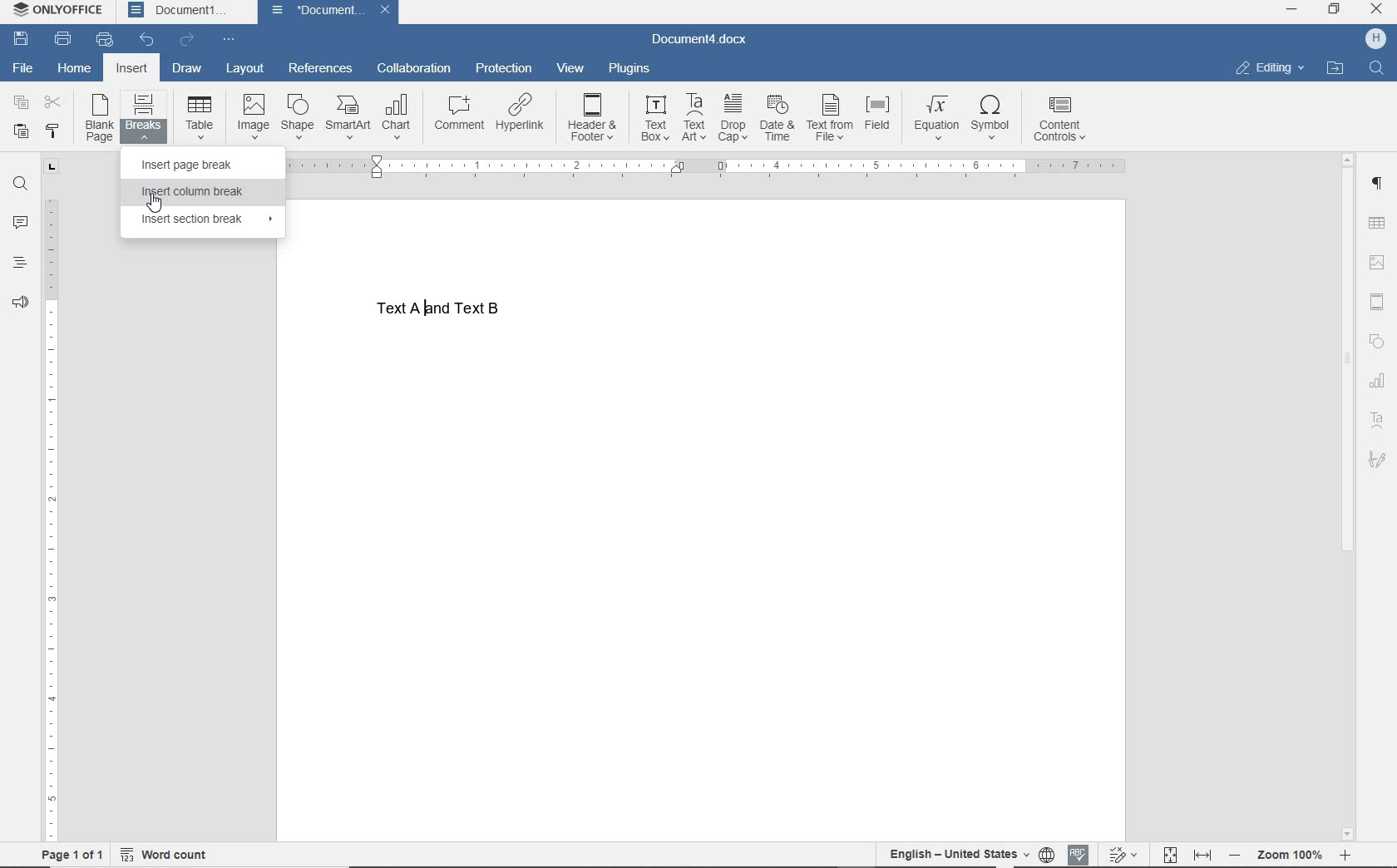 Image resolution: width=1397 pixels, height=868 pixels. Describe the element at coordinates (879, 123) in the screenshot. I see `FIELD` at that location.